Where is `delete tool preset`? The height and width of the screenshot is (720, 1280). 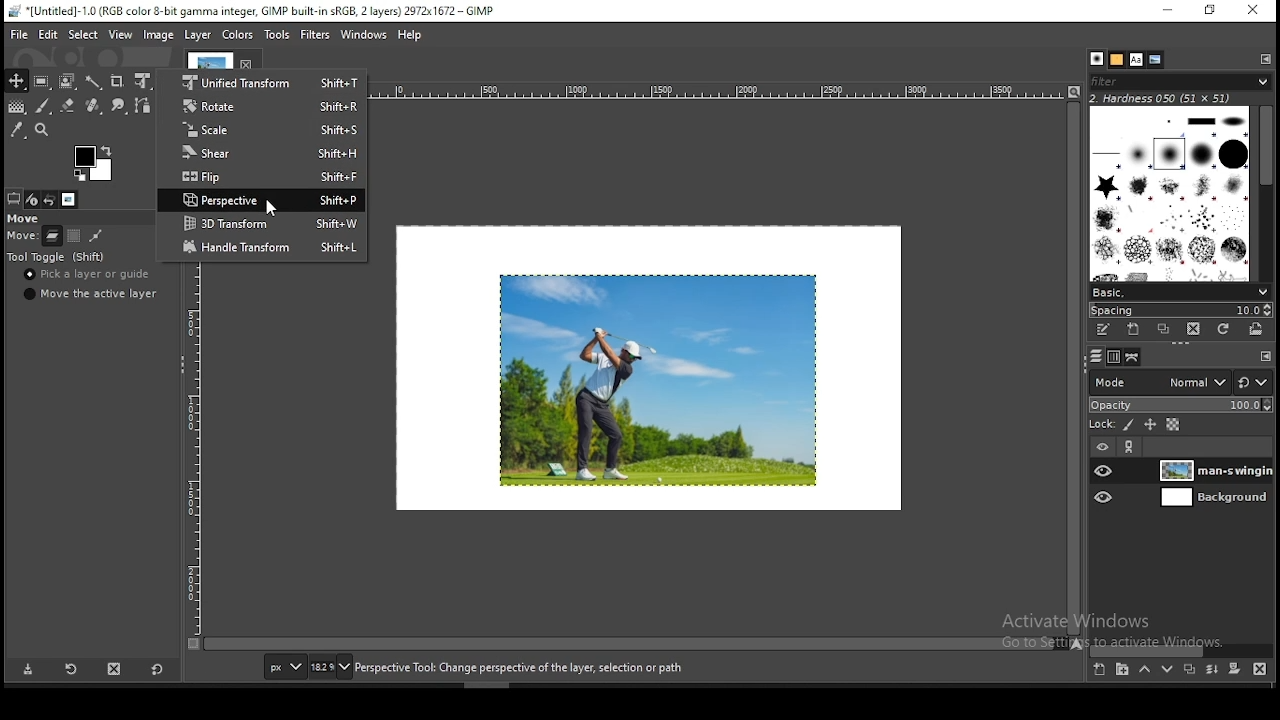
delete tool preset is located at coordinates (116, 668).